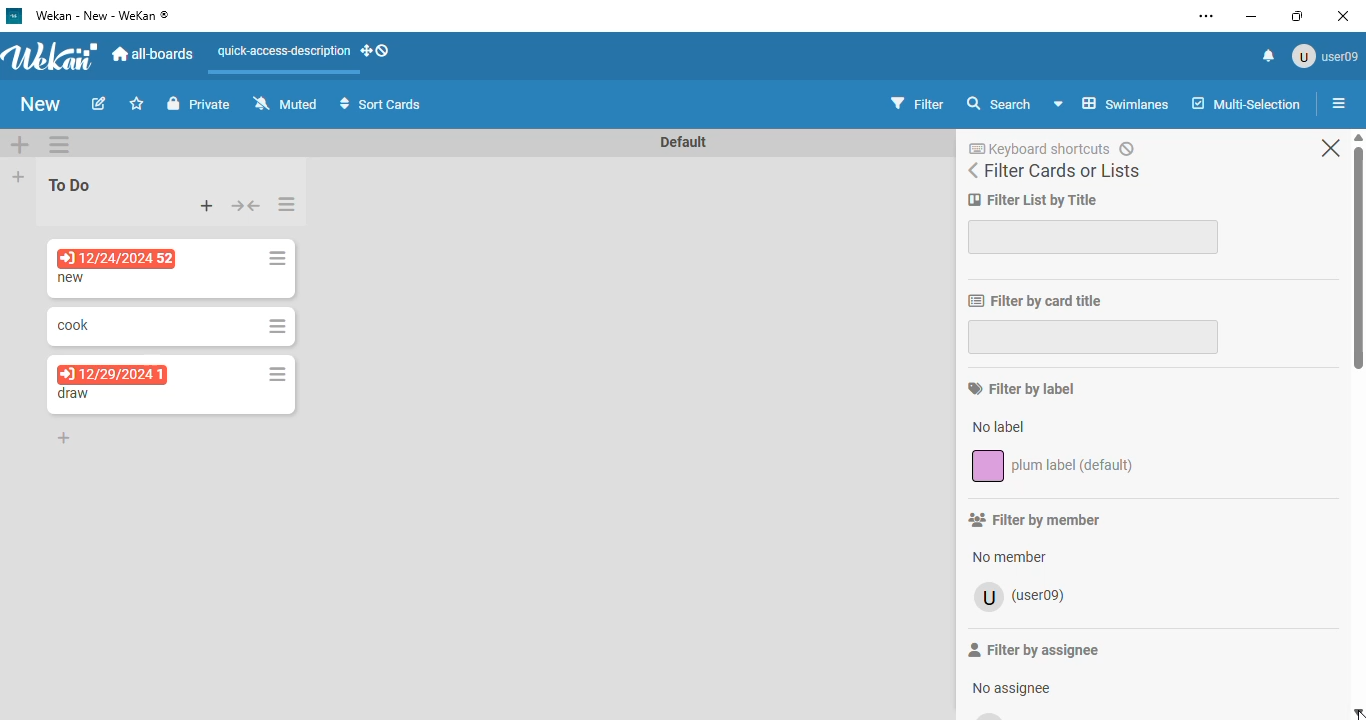 The image size is (1366, 720). Describe the element at coordinates (199, 103) in the screenshot. I see `private` at that location.